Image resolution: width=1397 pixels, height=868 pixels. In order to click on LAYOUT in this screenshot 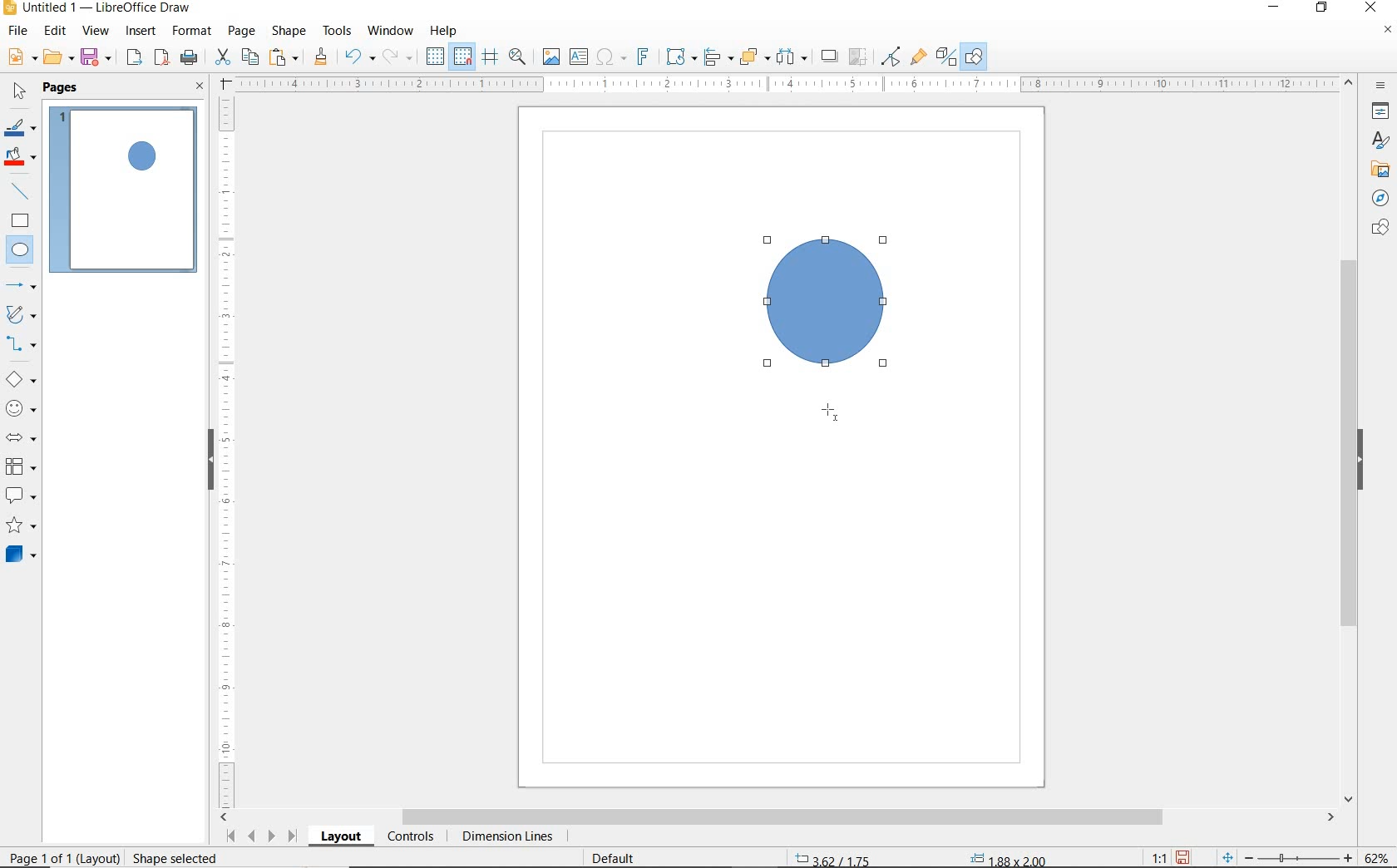, I will do `click(340, 839)`.